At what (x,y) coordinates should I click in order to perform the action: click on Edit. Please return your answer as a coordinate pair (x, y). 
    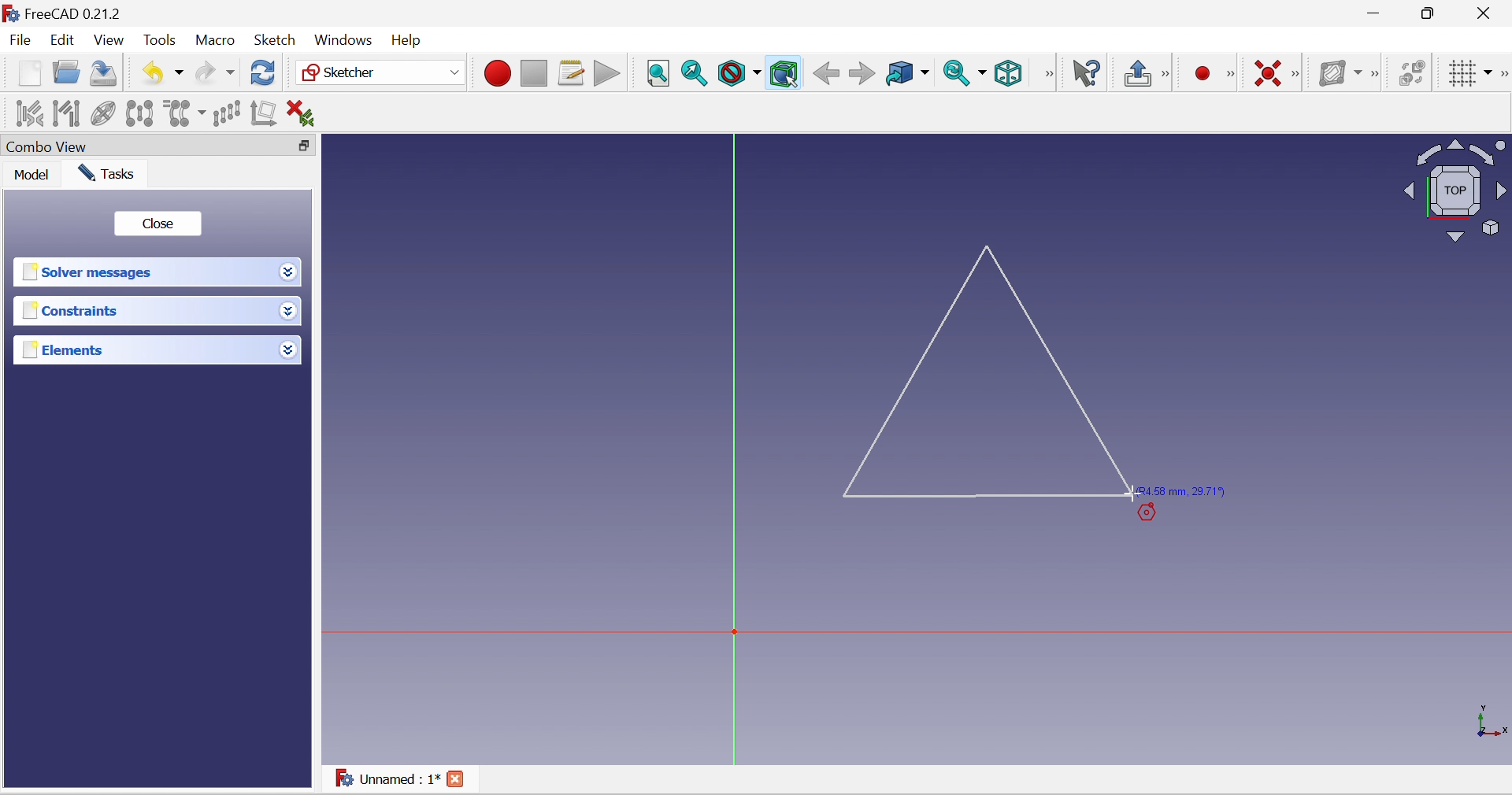
    Looking at the image, I should click on (61, 39).